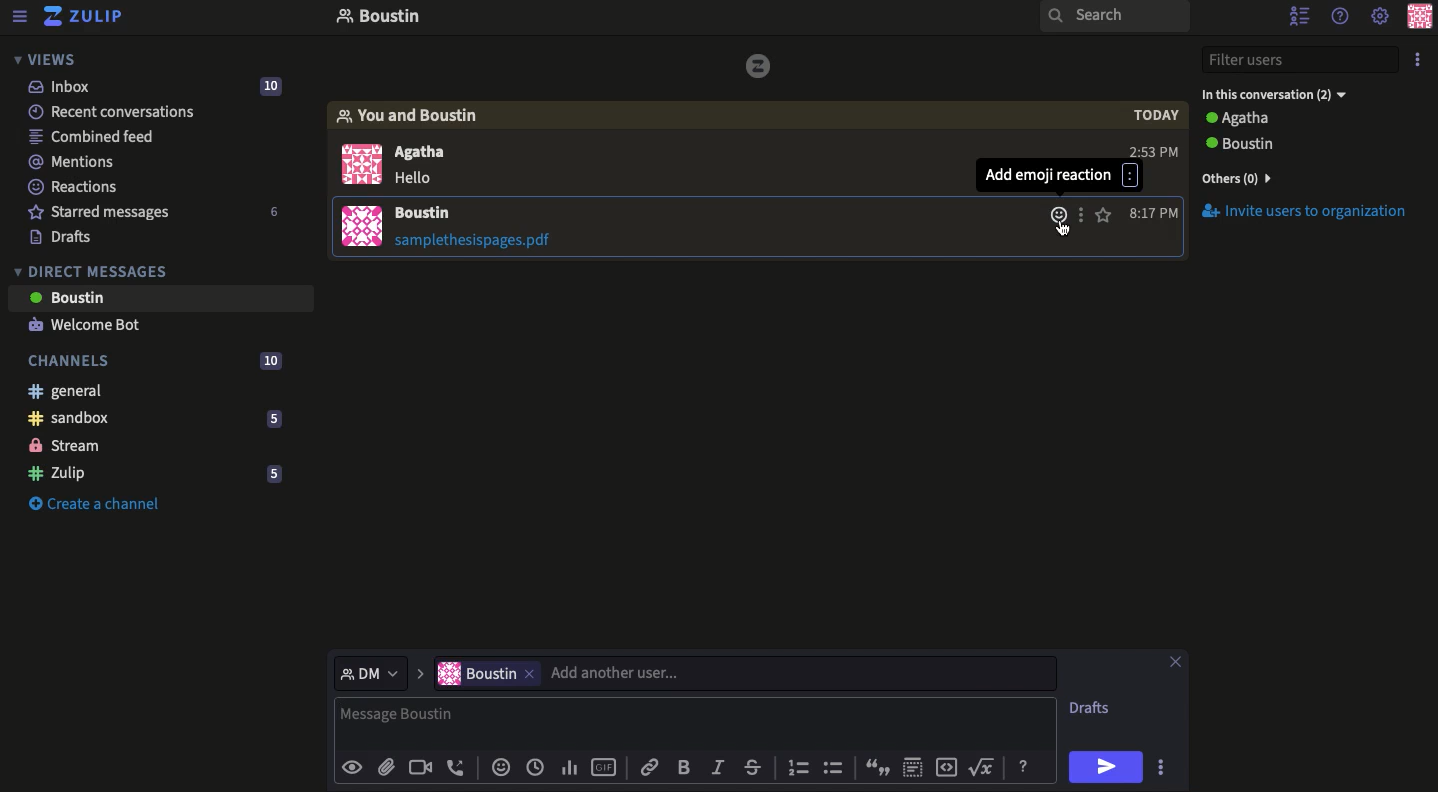 Image resolution: width=1438 pixels, height=792 pixels. Describe the element at coordinates (1160, 766) in the screenshot. I see `Options` at that location.